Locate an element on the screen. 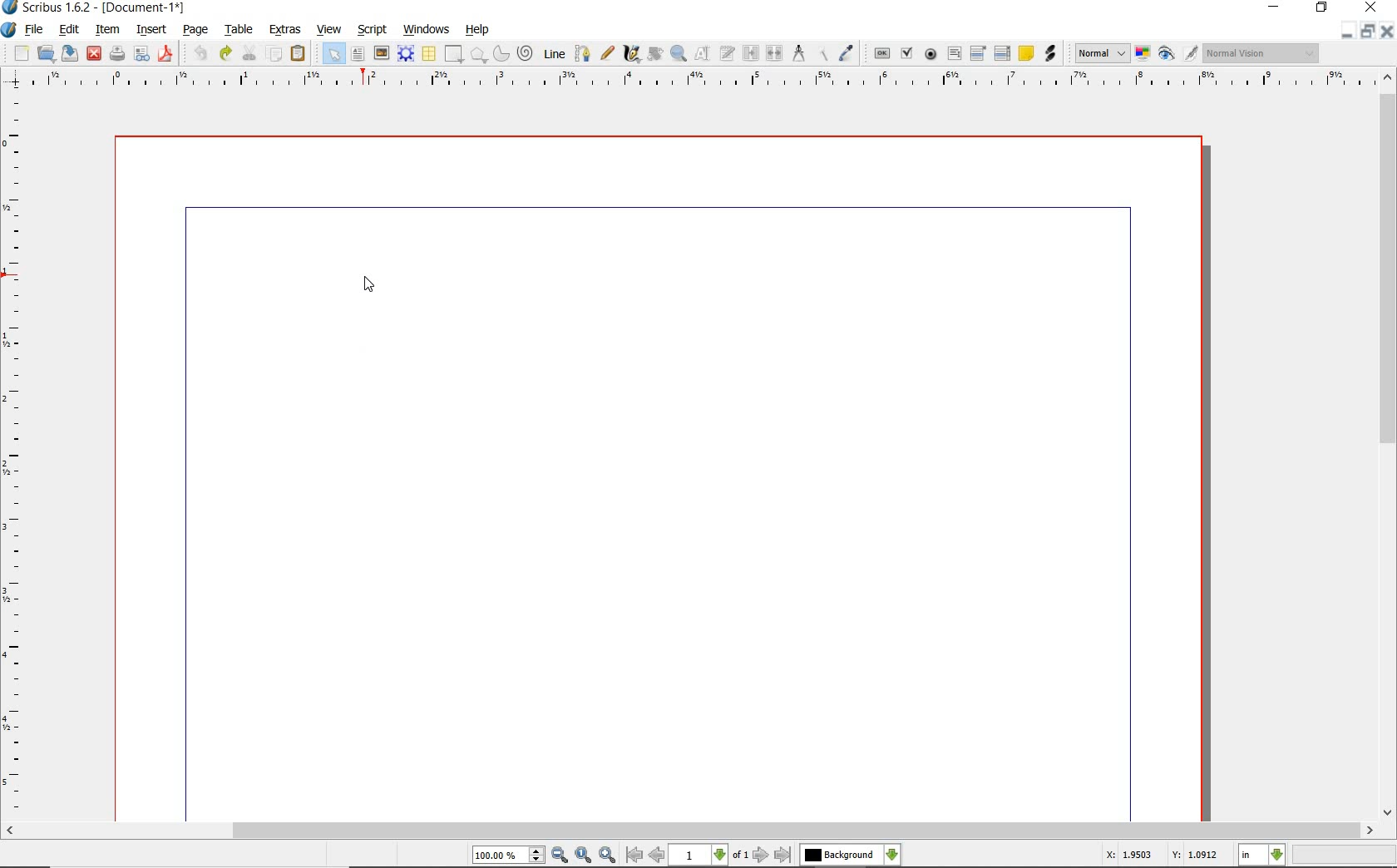 The width and height of the screenshot is (1397, 868). copy item properties is located at coordinates (822, 54).